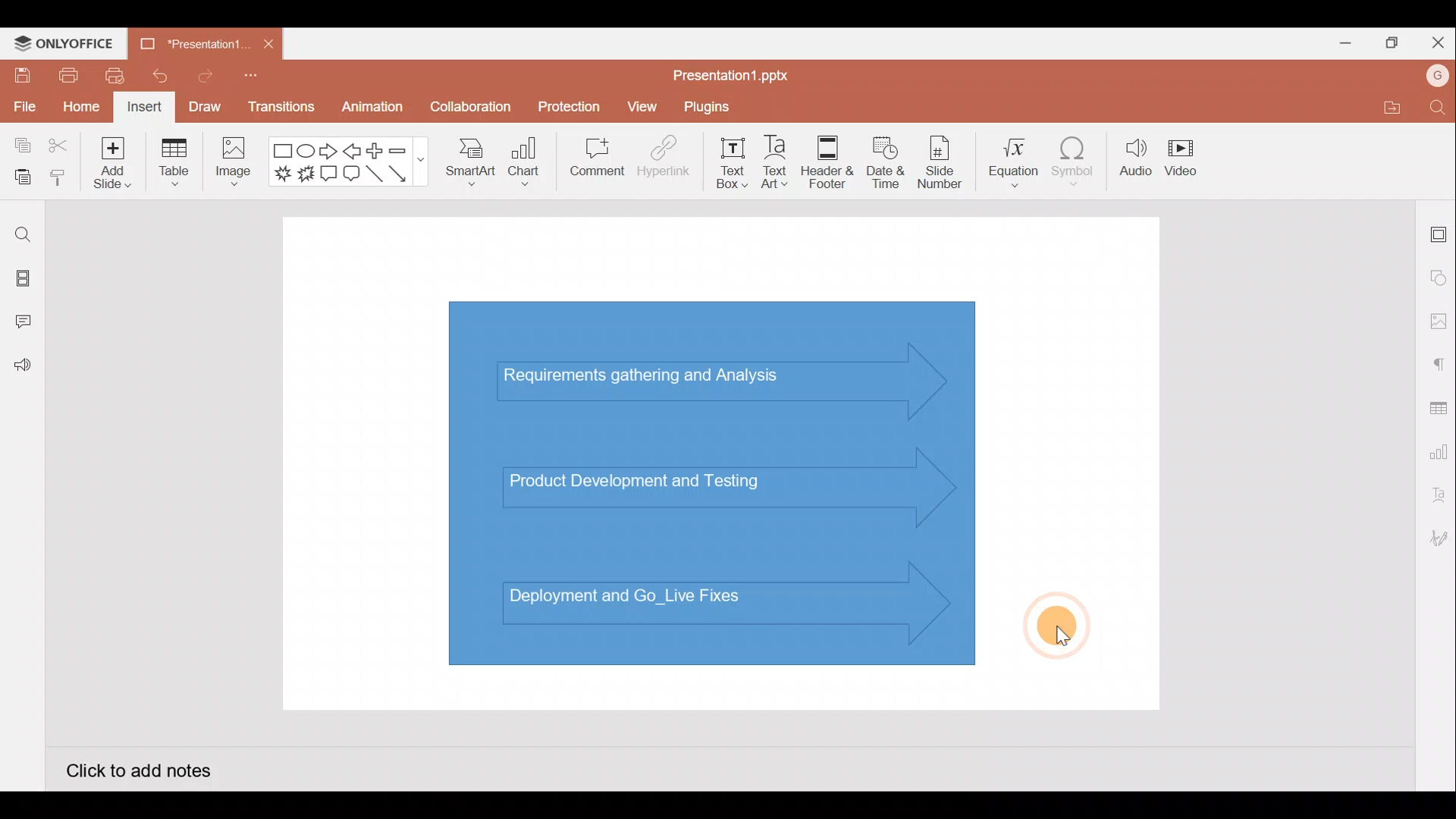  Describe the element at coordinates (329, 174) in the screenshot. I see `Rectangular callout` at that location.